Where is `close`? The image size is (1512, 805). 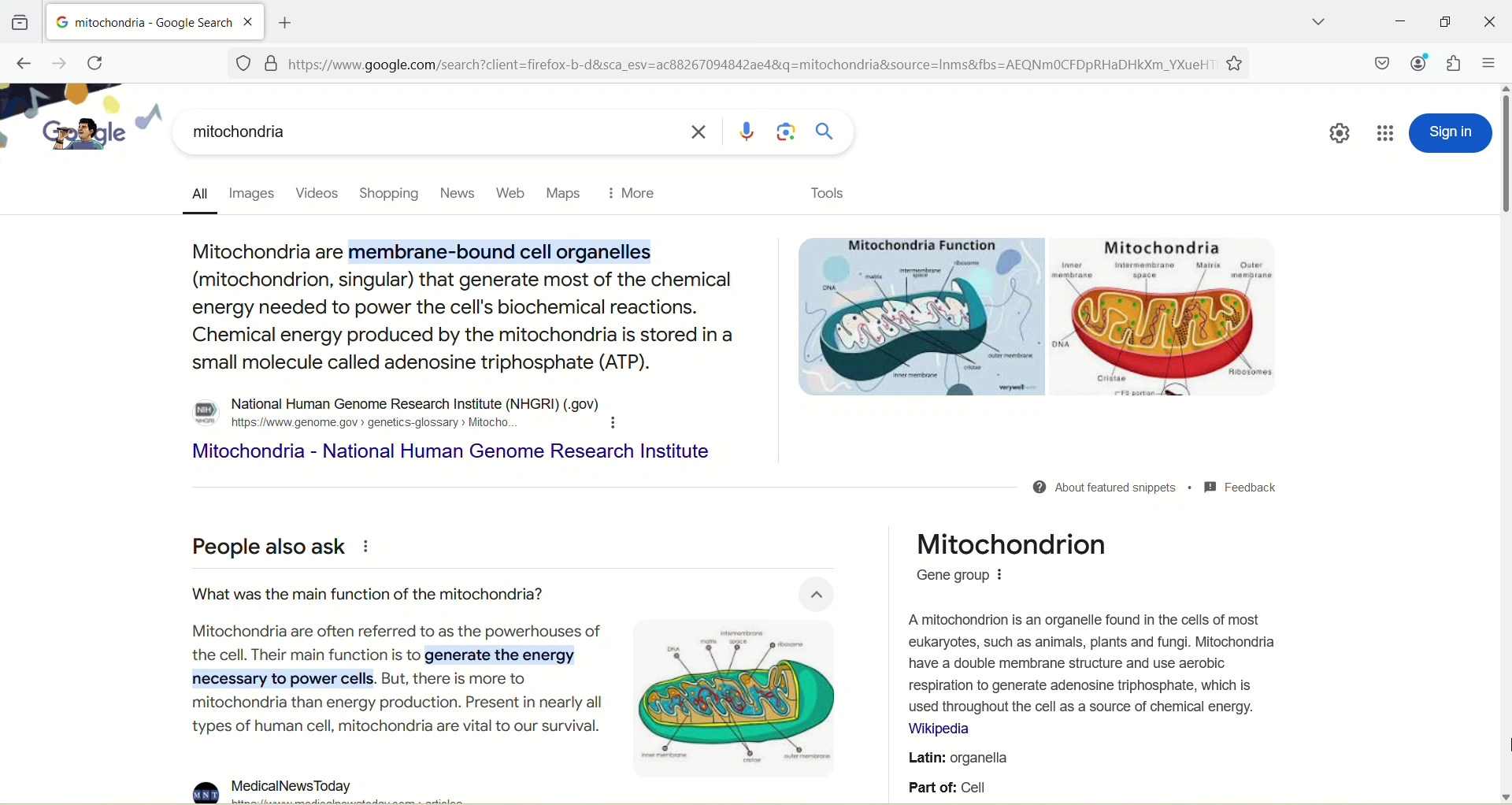 close is located at coordinates (696, 132).